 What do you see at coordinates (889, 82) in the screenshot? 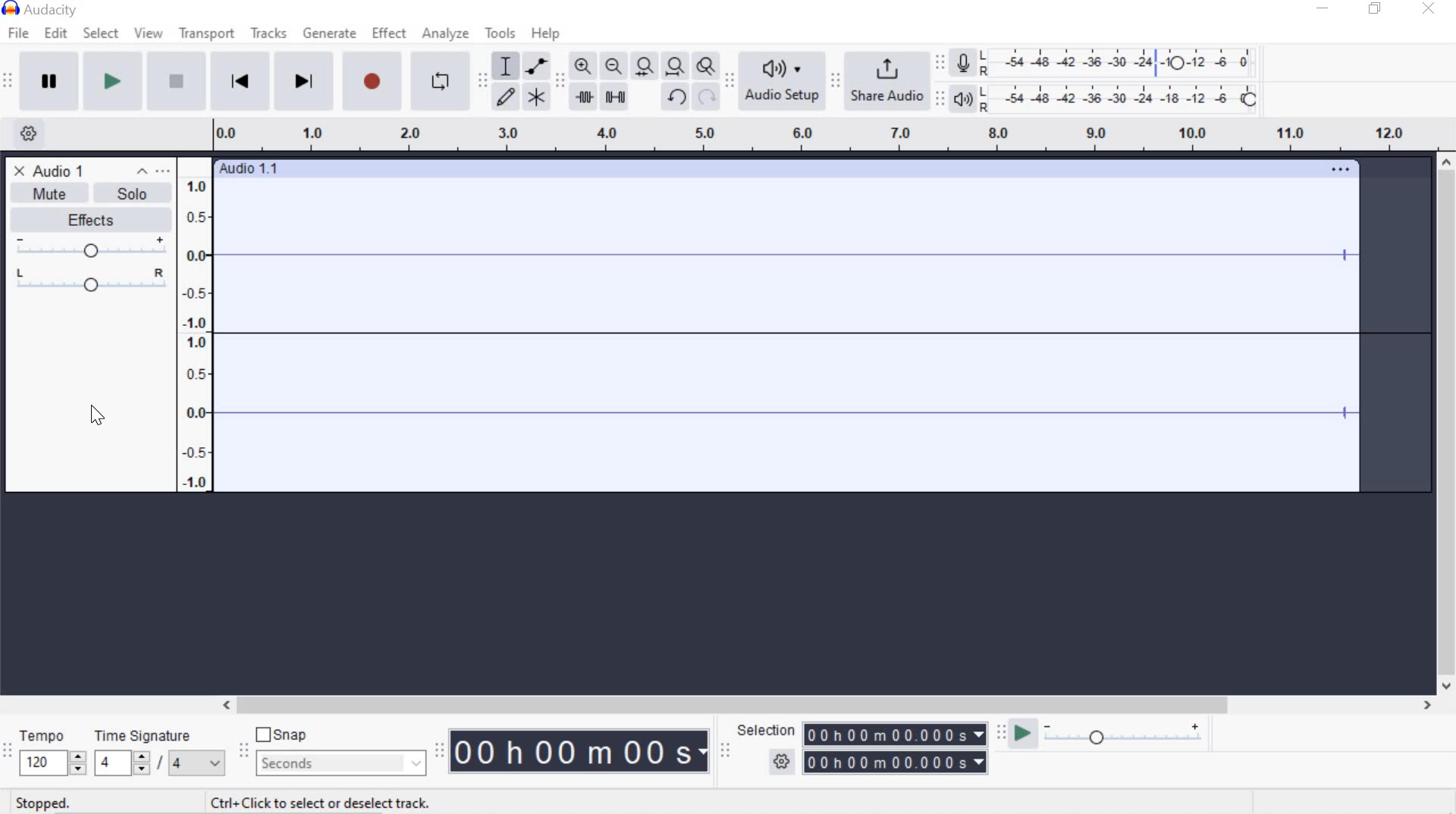
I see `Share audio` at bounding box center [889, 82].